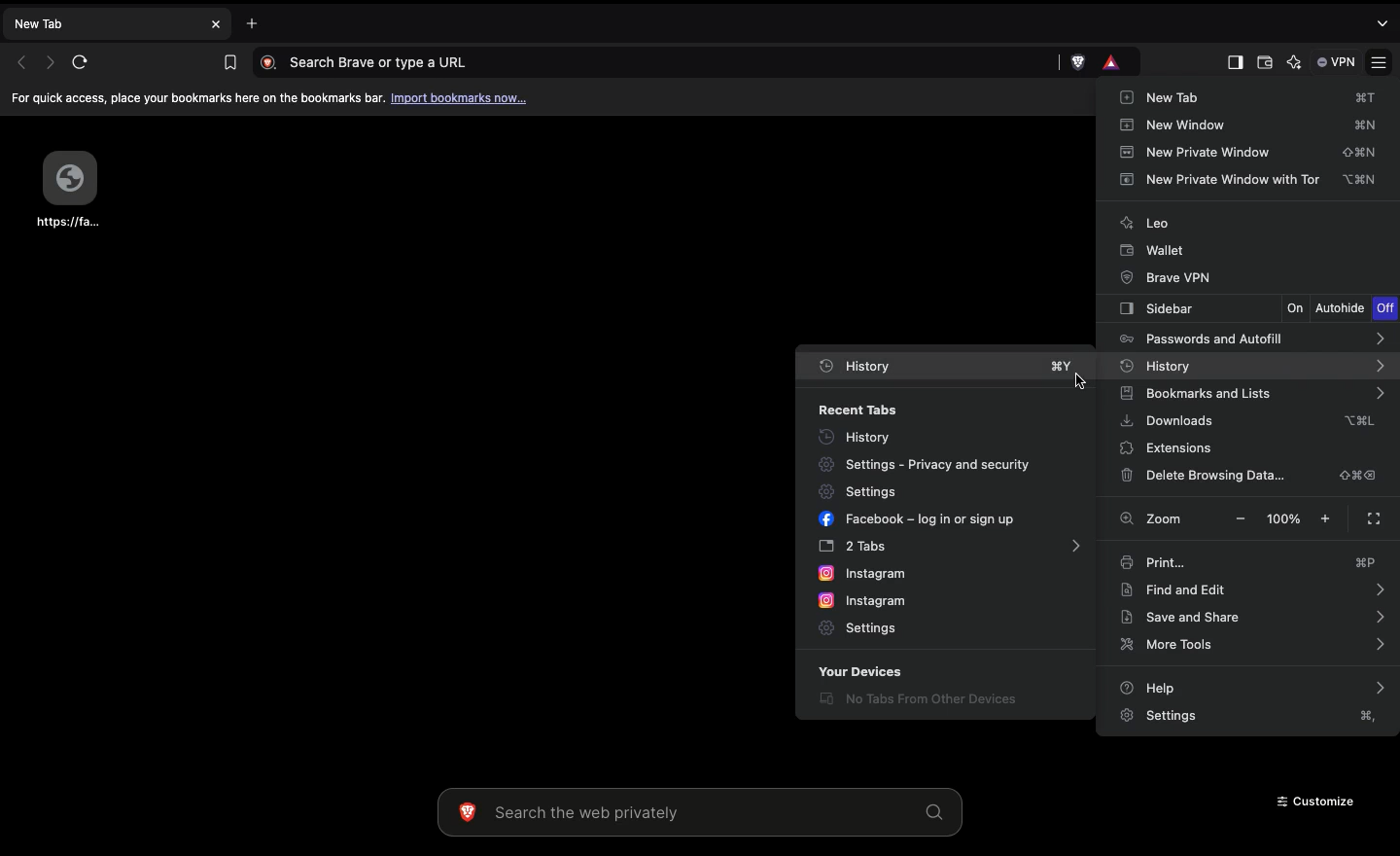 This screenshot has width=1400, height=856. What do you see at coordinates (1215, 519) in the screenshot?
I see `Zoom` at bounding box center [1215, 519].